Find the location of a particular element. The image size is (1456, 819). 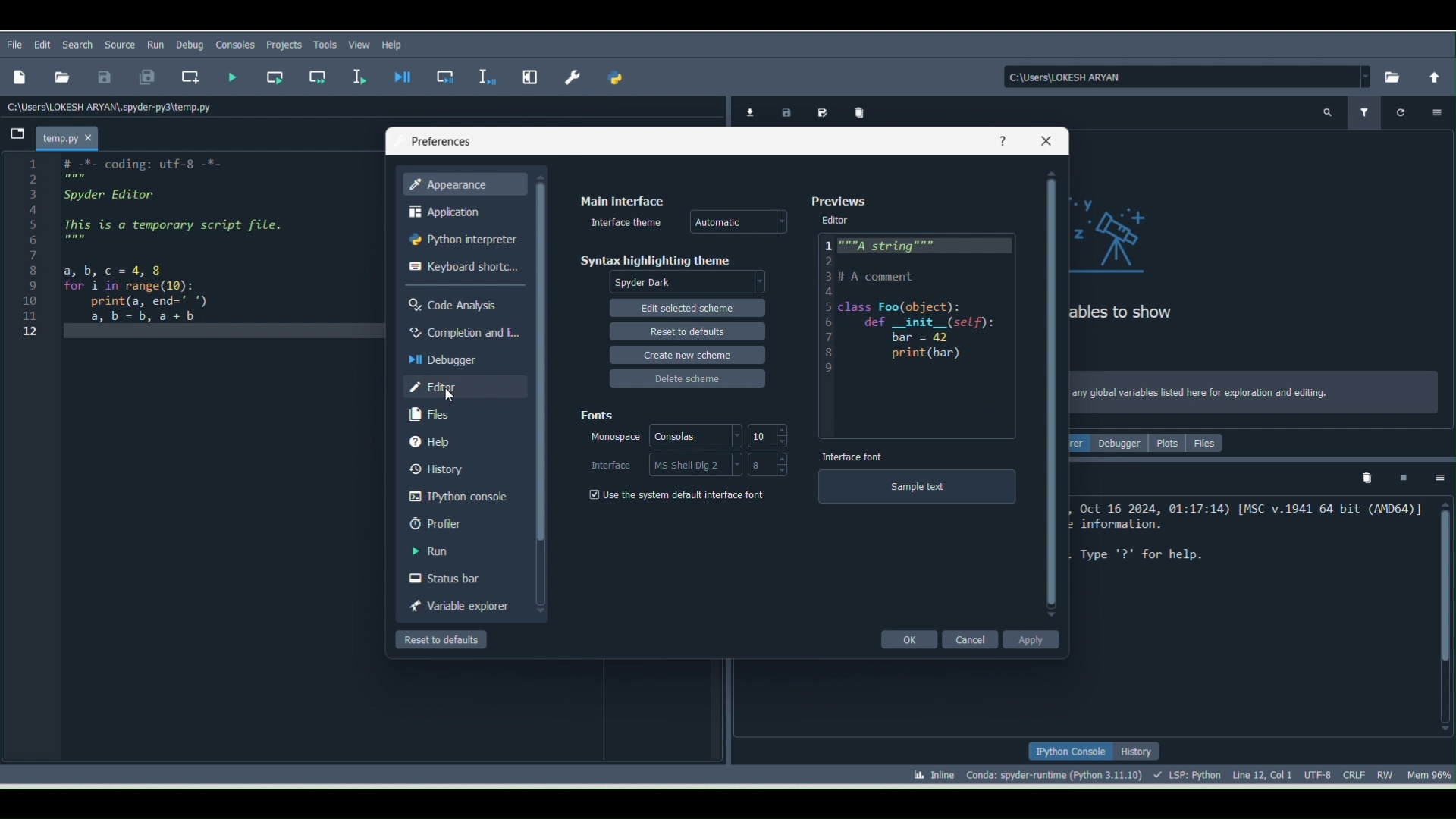

Appearance is located at coordinates (463, 184).